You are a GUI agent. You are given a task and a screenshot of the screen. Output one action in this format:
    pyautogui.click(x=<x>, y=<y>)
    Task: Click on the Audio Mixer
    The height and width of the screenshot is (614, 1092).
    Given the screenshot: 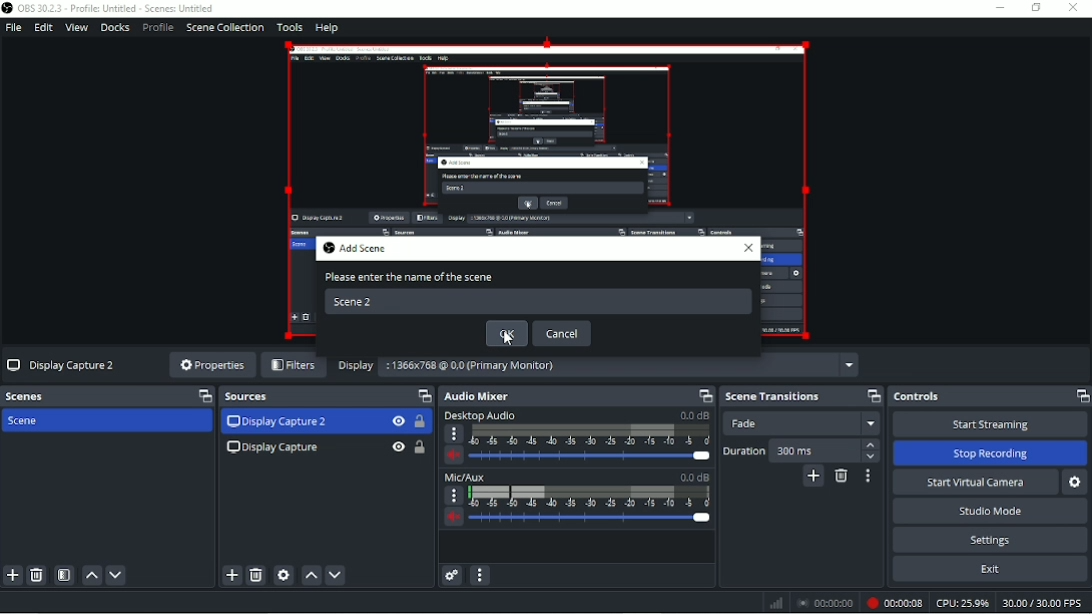 What is the action you would take?
    pyautogui.click(x=478, y=397)
    